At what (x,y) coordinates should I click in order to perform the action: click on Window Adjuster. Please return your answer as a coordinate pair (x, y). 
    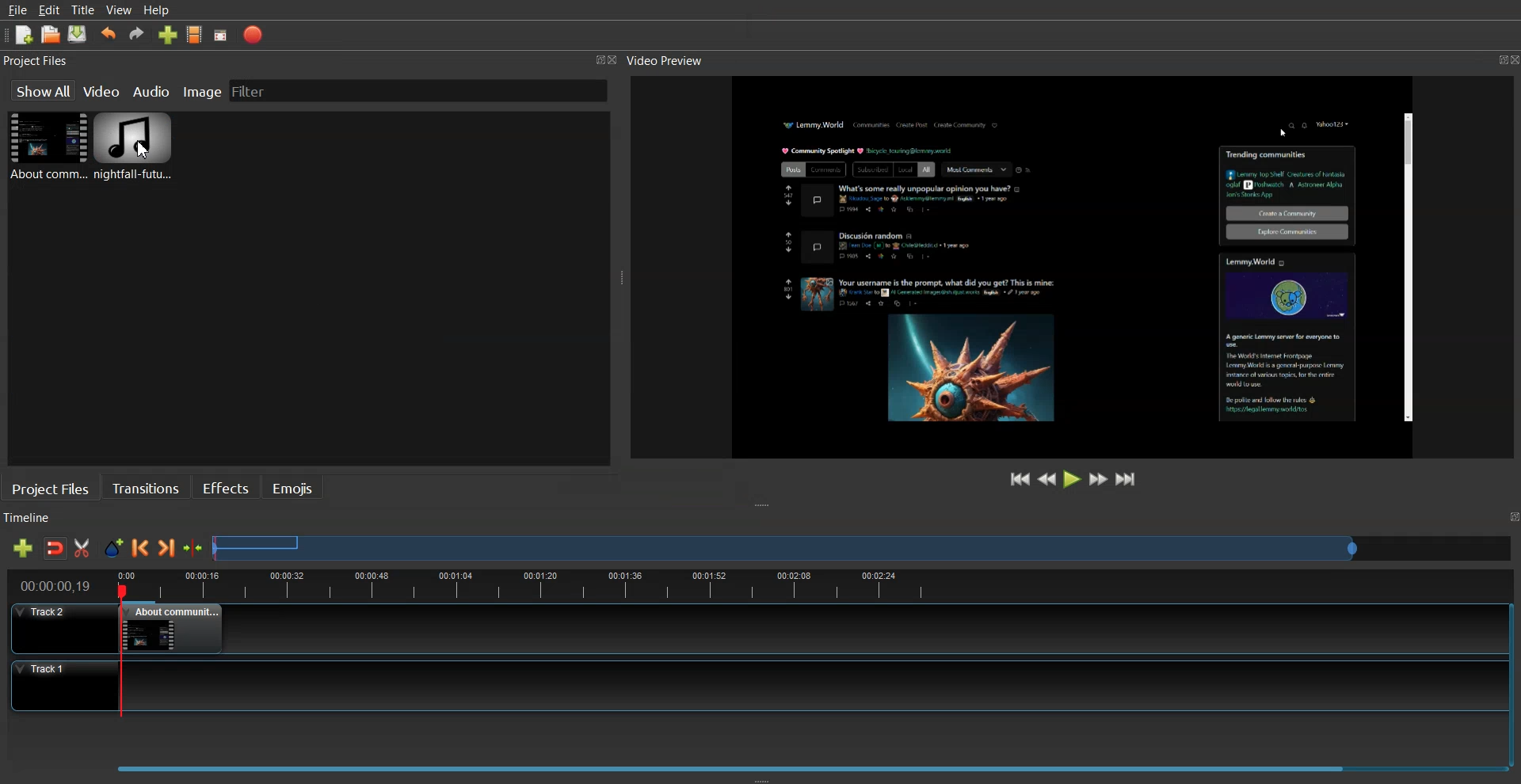
    Looking at the image, I should click on (762, 778).